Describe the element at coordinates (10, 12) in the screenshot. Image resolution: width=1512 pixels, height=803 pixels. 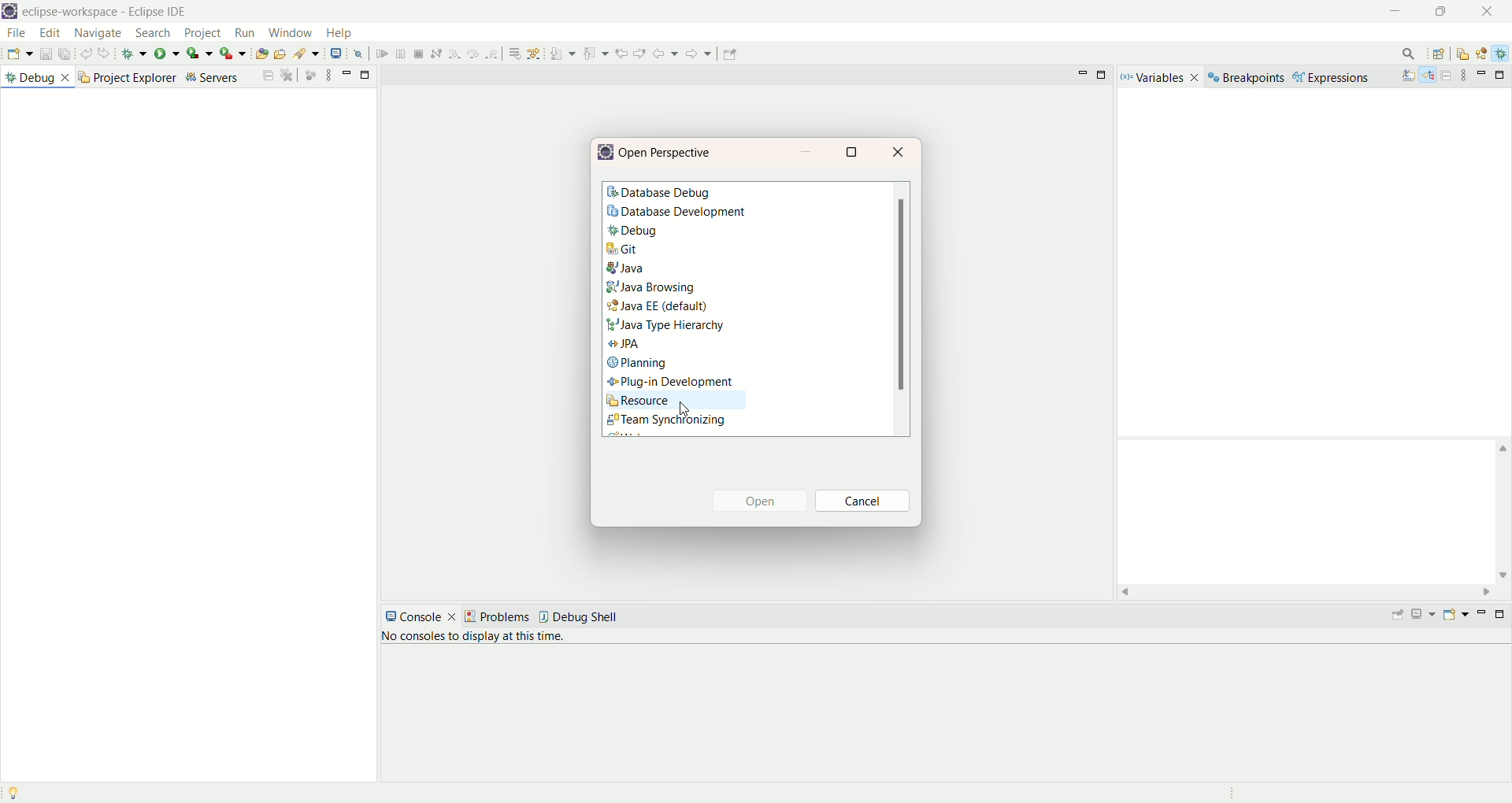
I see `logo` at that location.